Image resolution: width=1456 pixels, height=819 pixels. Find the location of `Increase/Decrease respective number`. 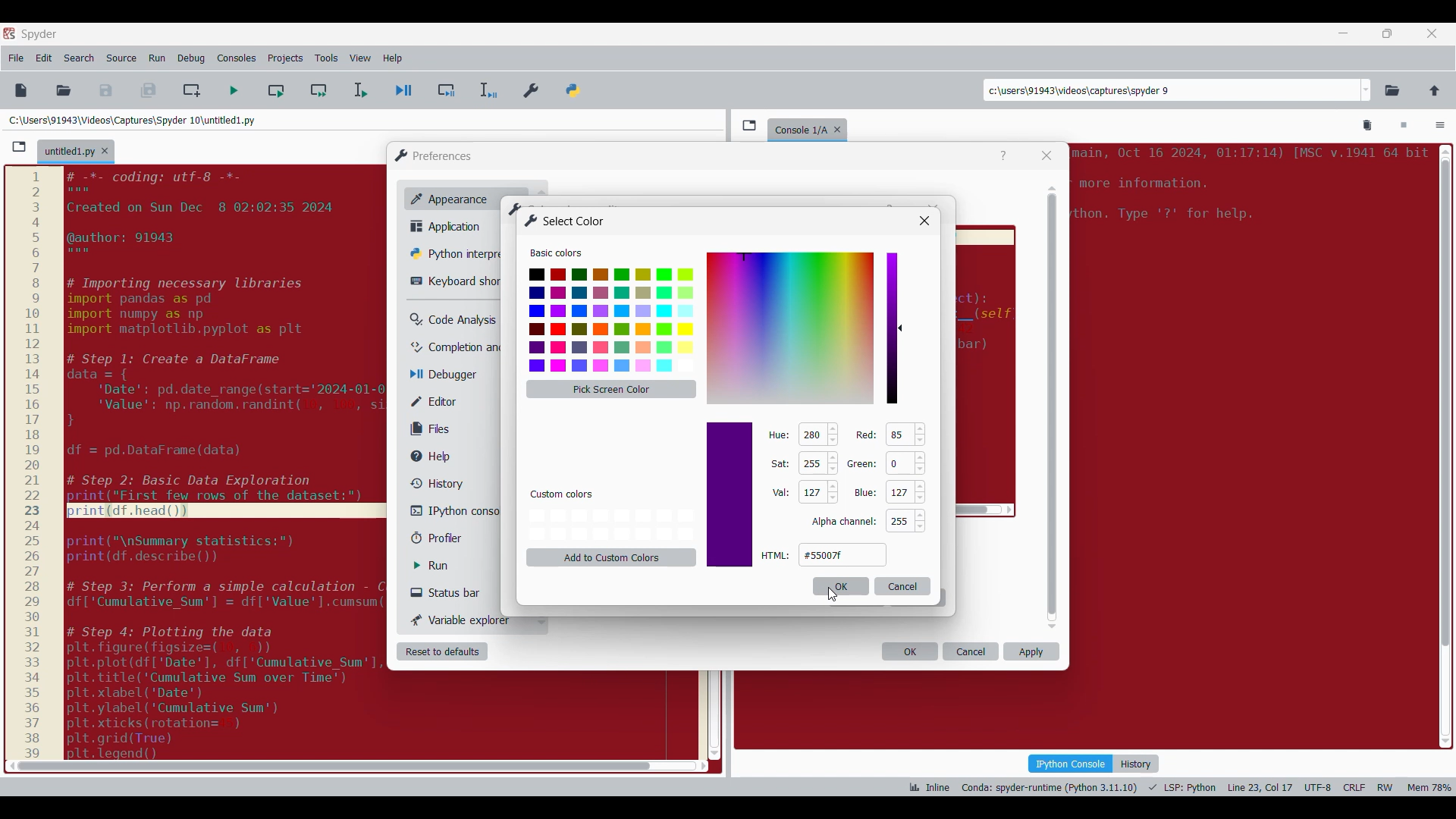

Increase/Decrease respective number is located at coordinates (920, 477).